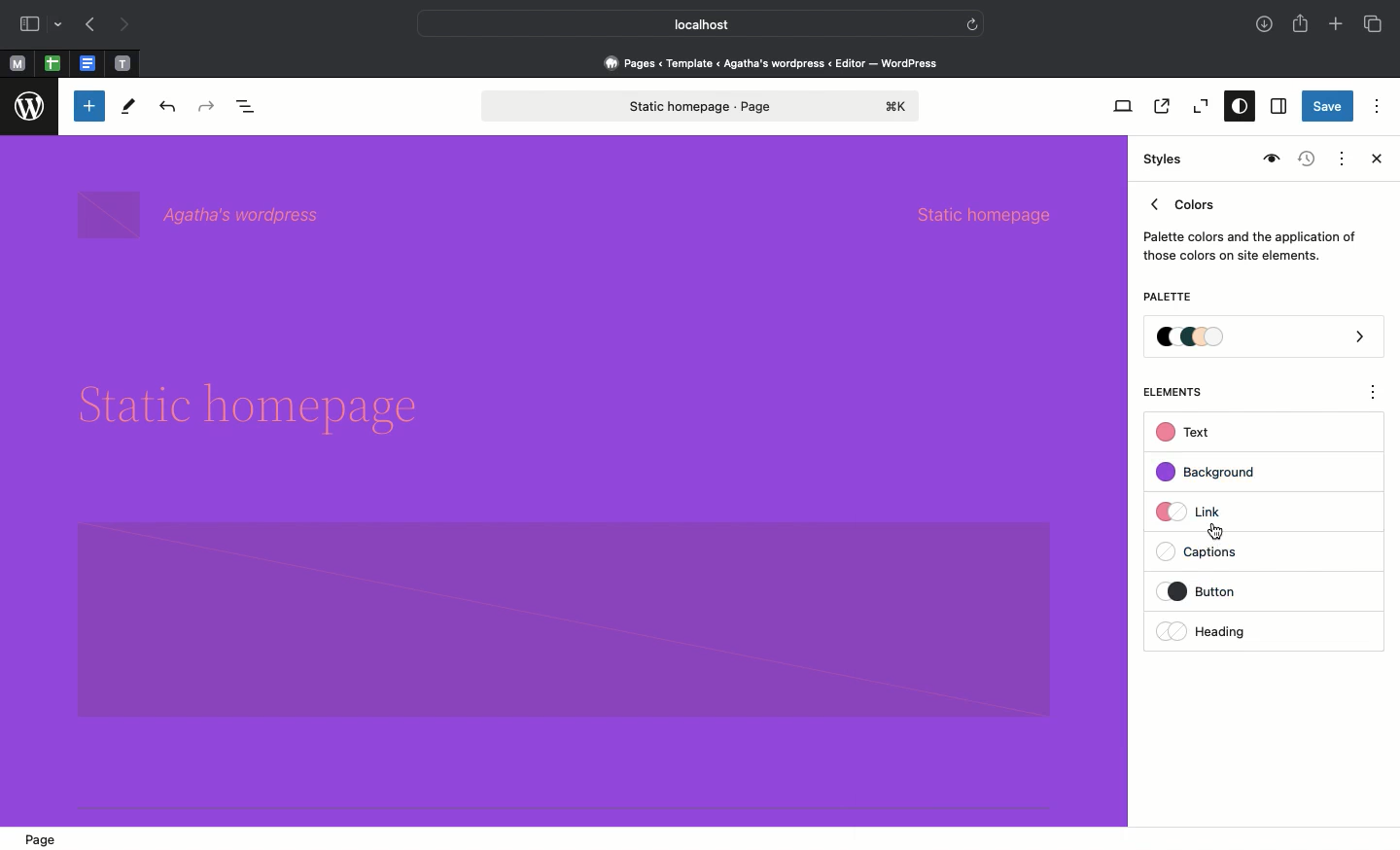  What do you see at coordinates (1214, 591) in the screenshot?
I see `Button` at bounding box center [1214, 591].